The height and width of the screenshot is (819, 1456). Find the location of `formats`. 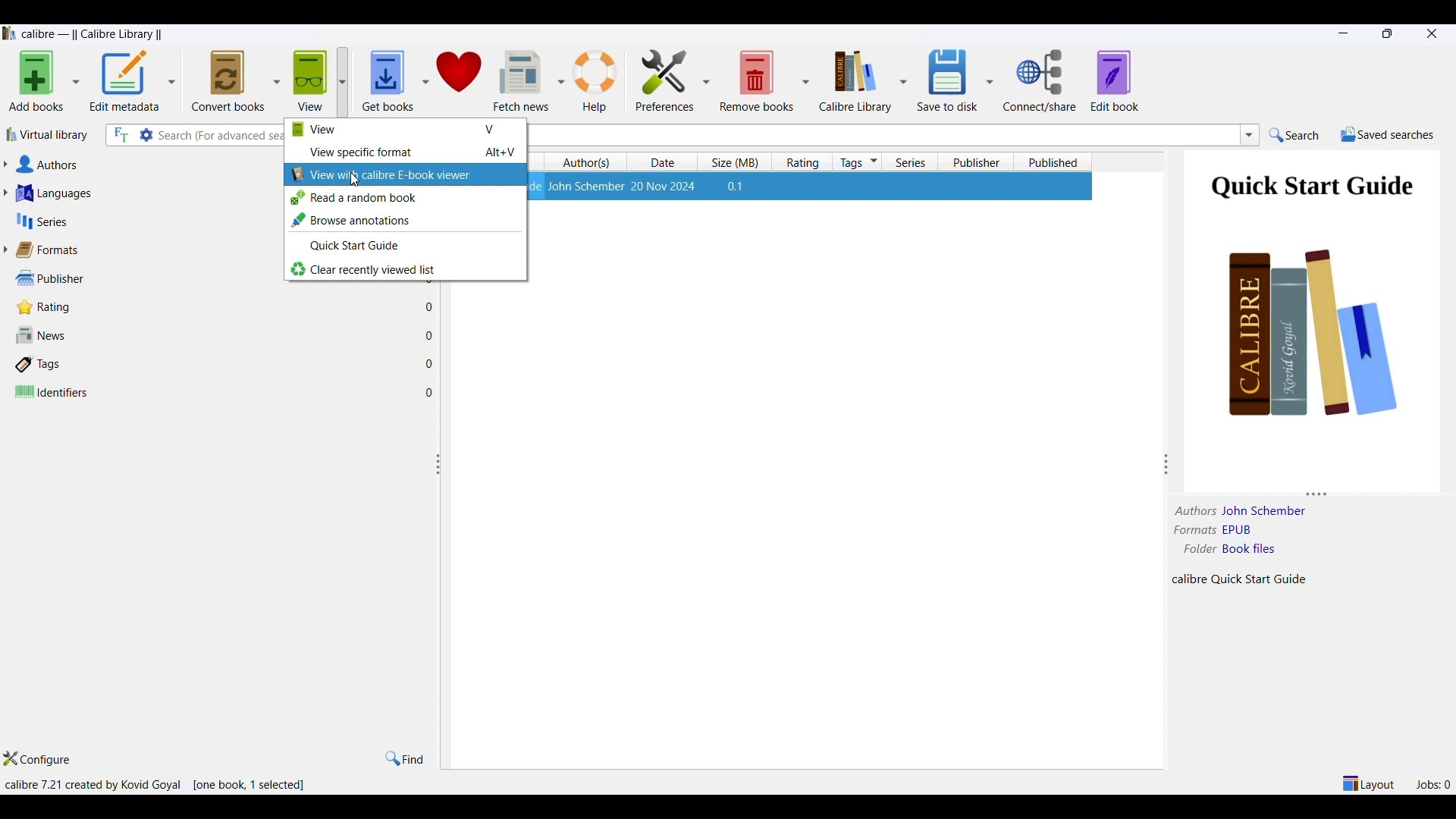

formats is located at coordinates (1194, 531).